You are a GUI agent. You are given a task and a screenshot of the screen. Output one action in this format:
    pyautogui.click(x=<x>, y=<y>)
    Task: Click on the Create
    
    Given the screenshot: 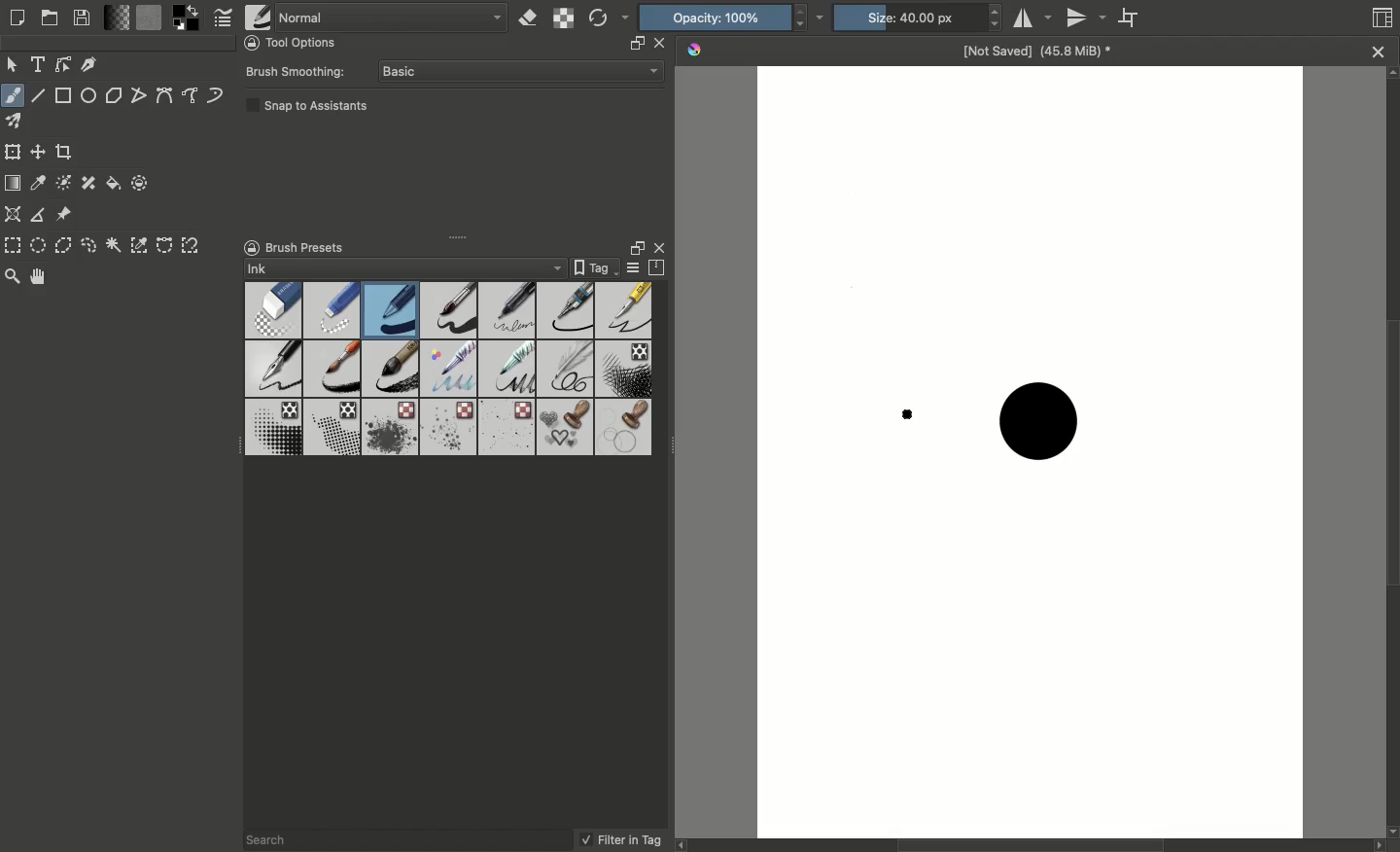 What is the action you would take?
    pyautogui.click(x=16, y=18)
    